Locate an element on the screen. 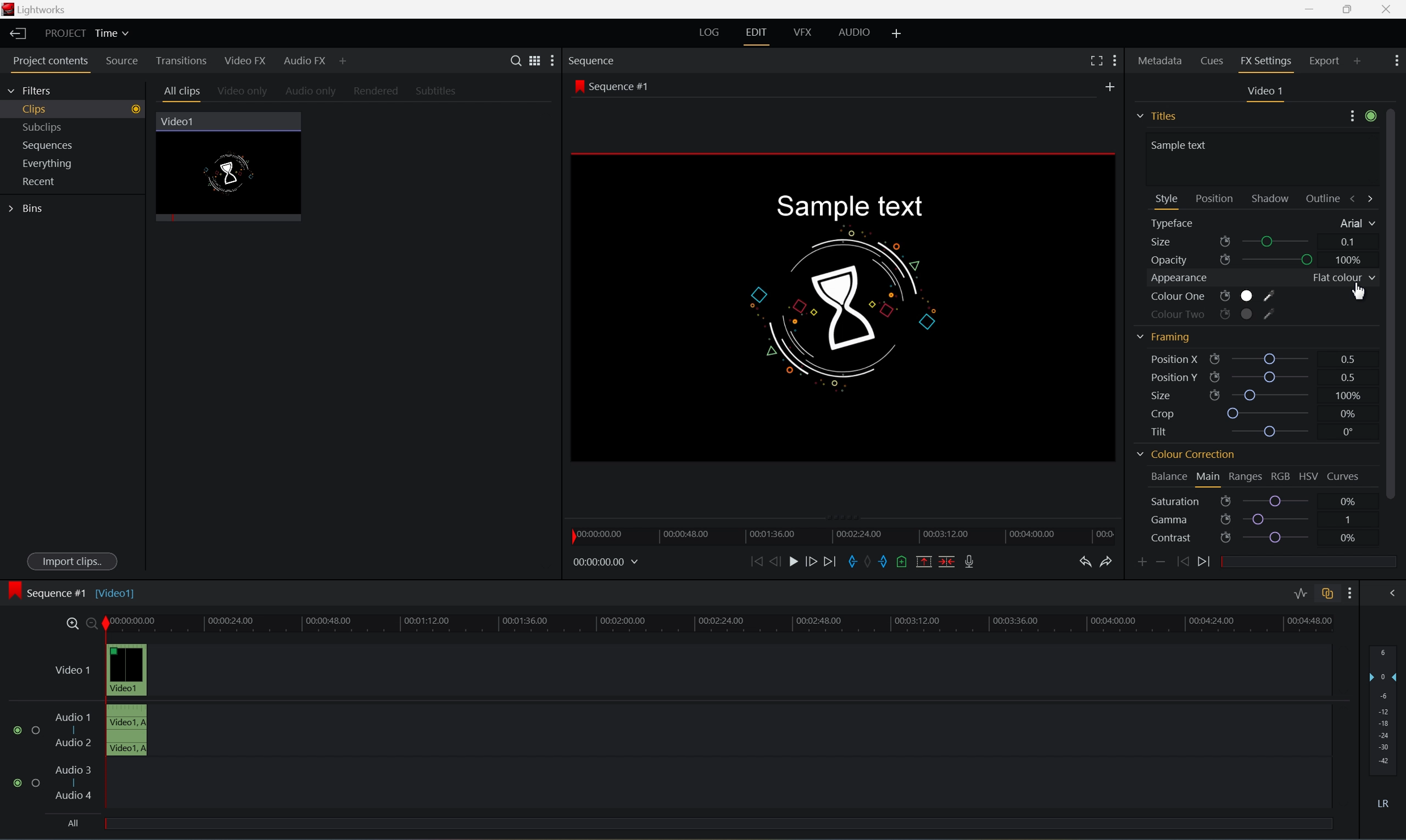 The width and height of the screenshot is (1406, 840). add an 'out' mark at the current position is located at coordinates (887, 562).